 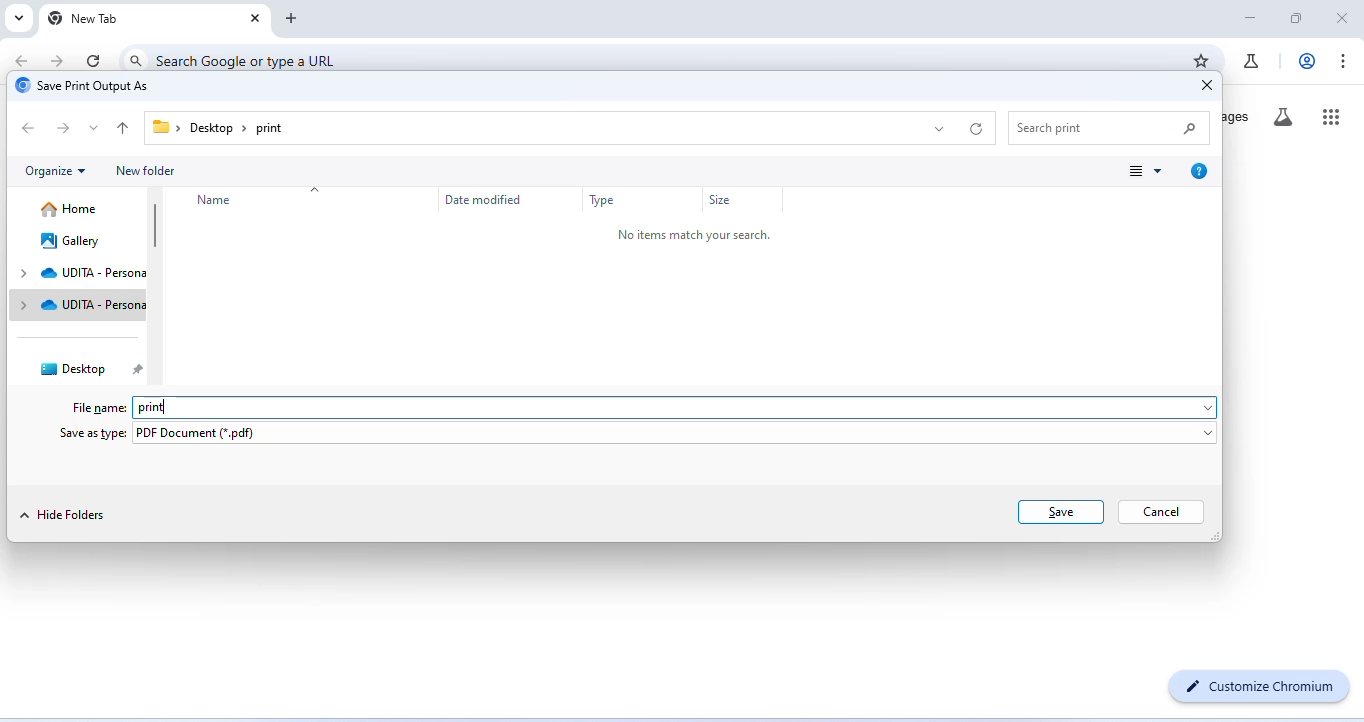 I want to click on images, so click(x=1237, y=117).